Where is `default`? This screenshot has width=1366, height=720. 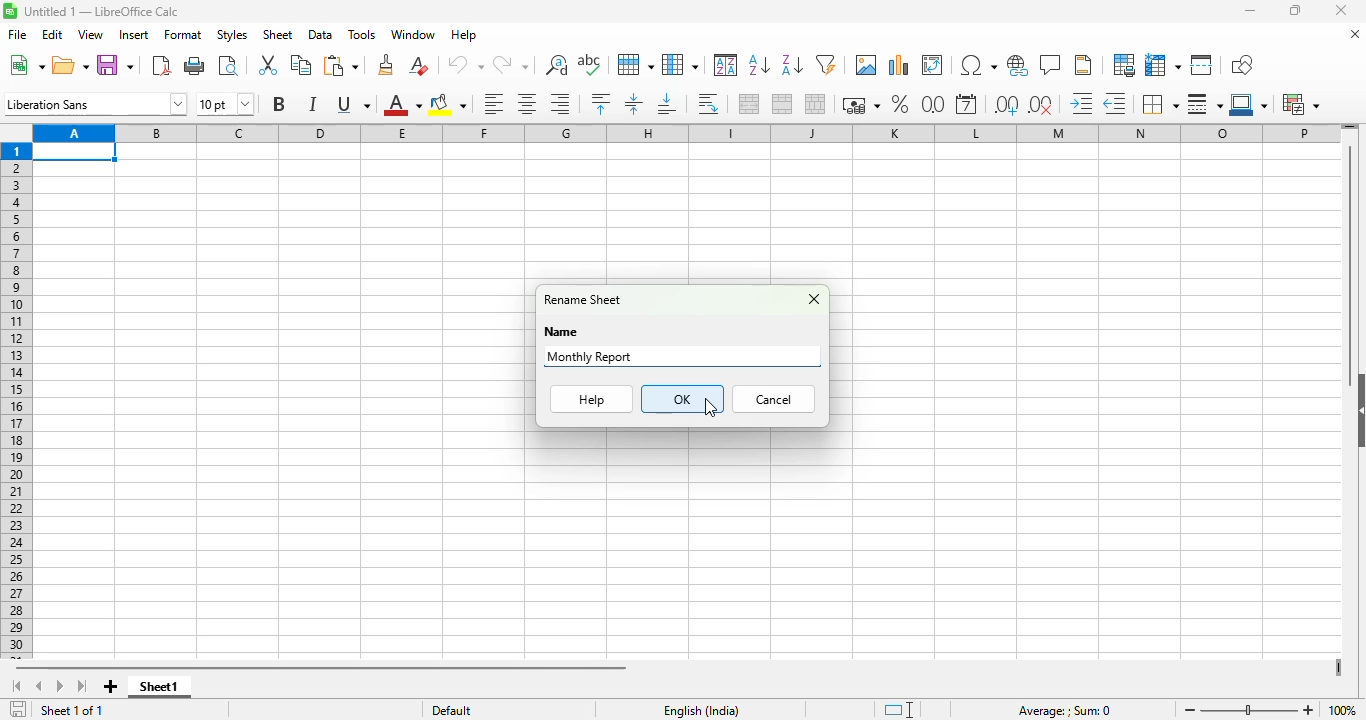
default is located at coordinates (452, 710).